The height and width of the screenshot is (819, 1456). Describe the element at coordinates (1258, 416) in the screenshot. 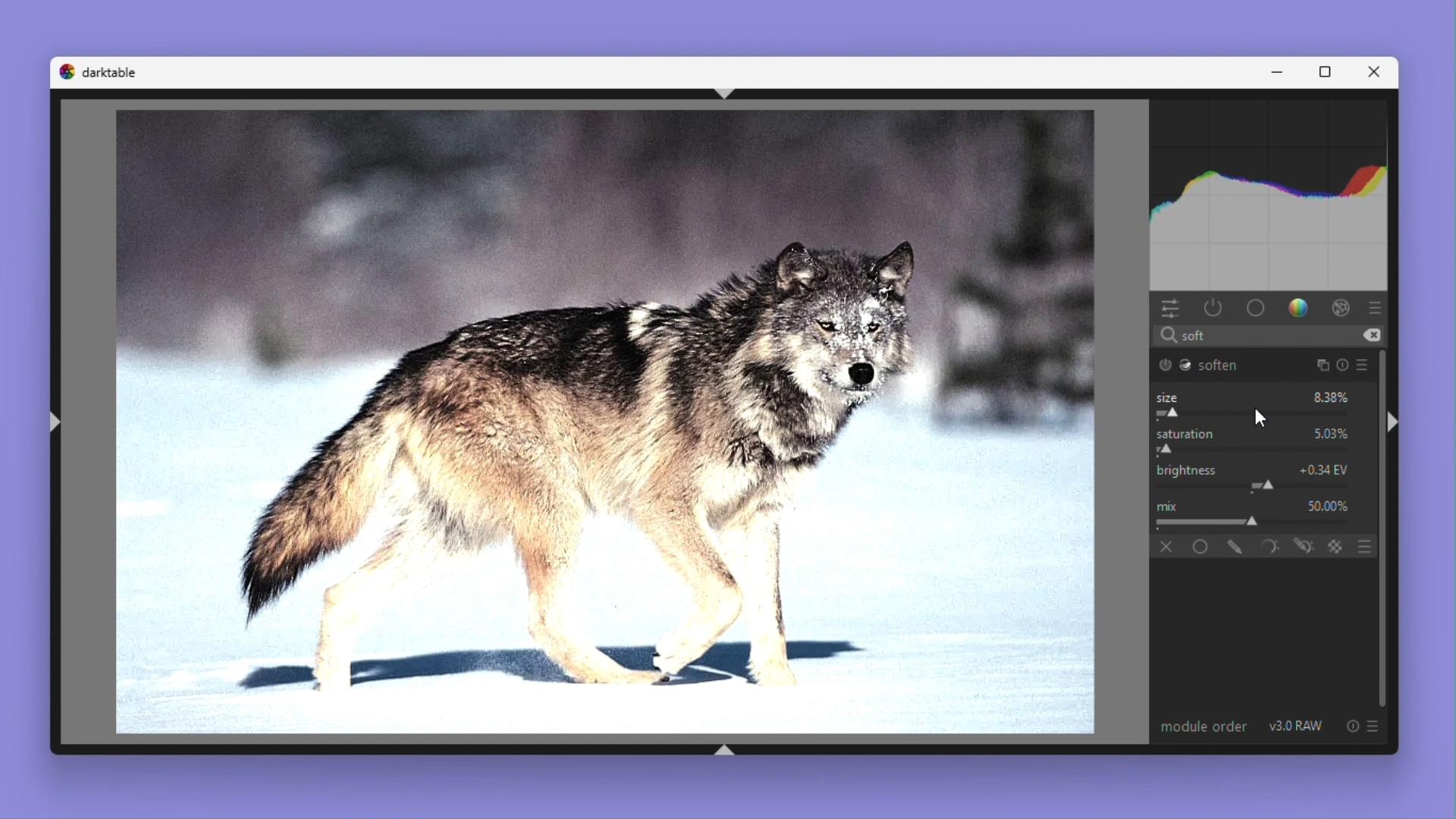

I see `cursor` at that location.